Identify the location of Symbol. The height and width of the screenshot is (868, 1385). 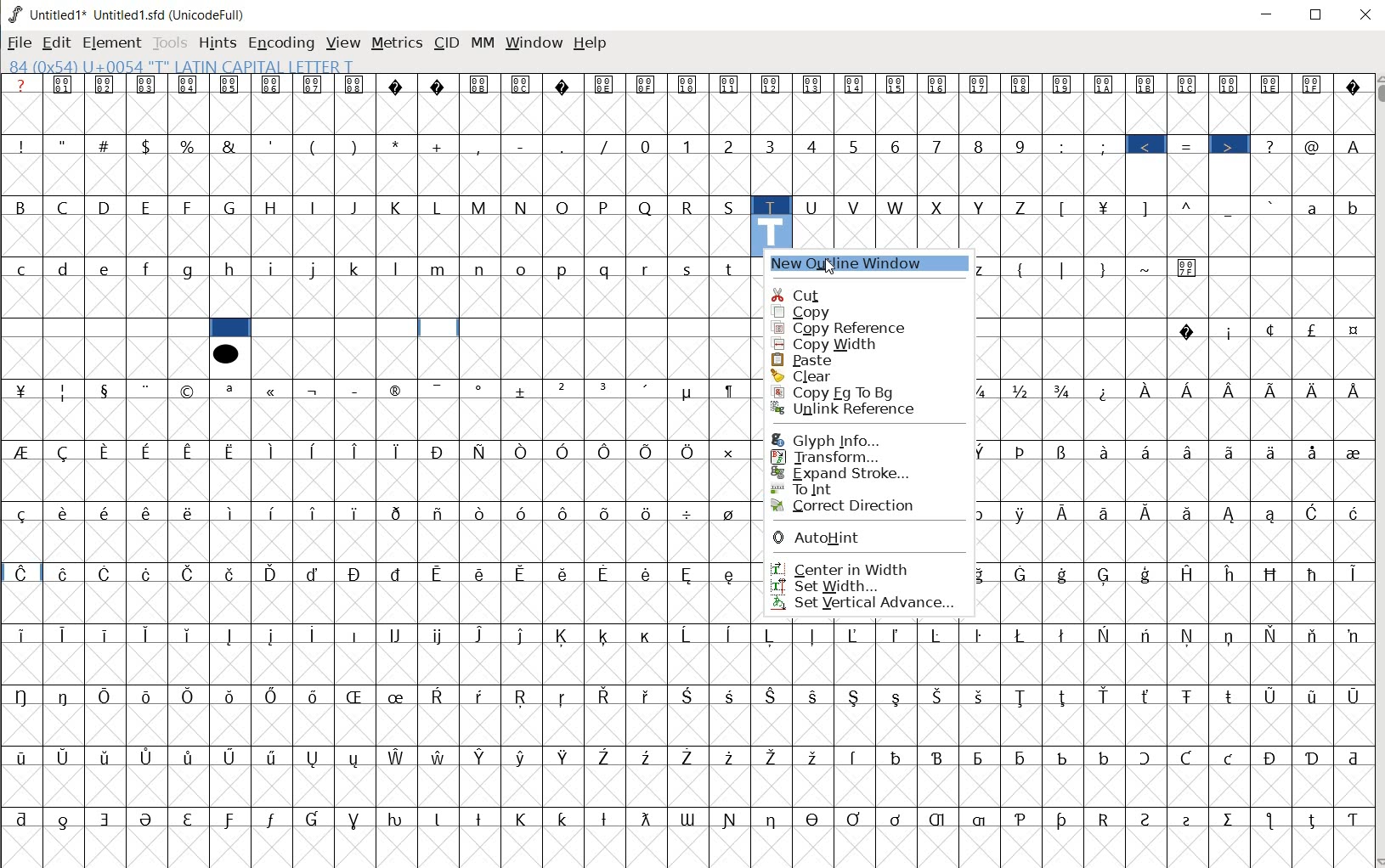
(21, 451).